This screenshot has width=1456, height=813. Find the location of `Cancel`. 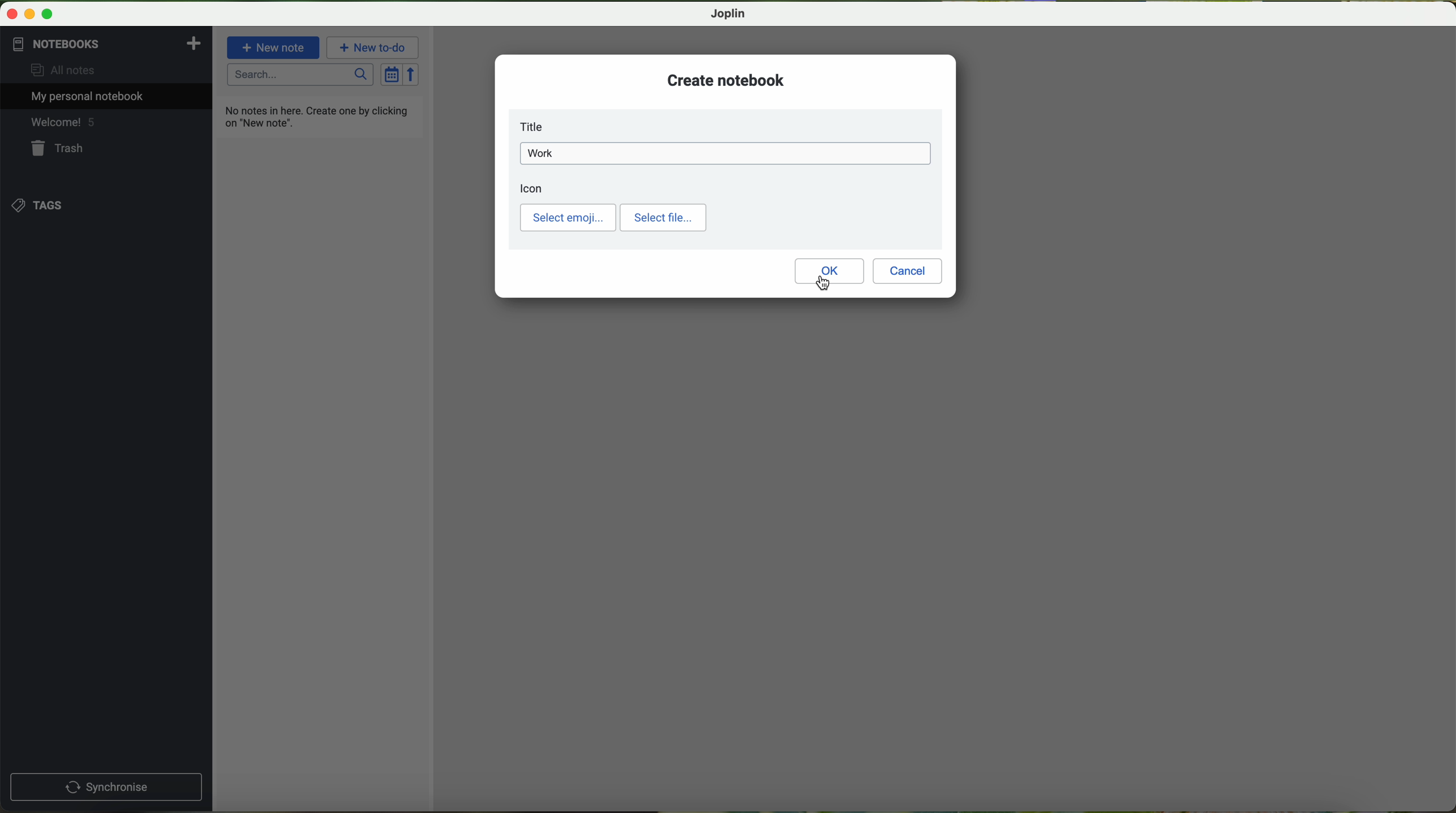

Cancel is located at coordinates (908, 271).